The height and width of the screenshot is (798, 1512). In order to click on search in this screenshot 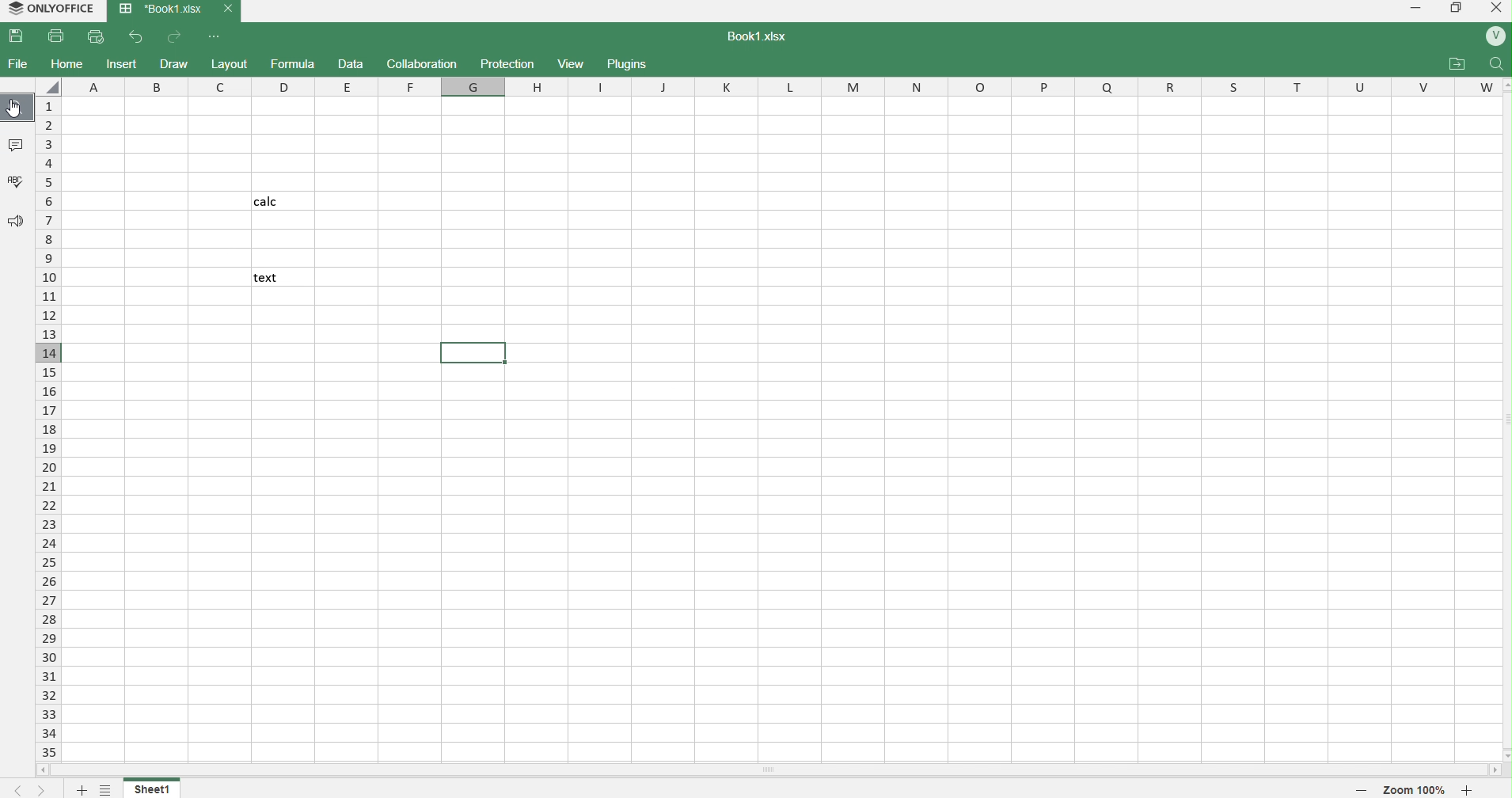, I will do `click(17, 108)`.